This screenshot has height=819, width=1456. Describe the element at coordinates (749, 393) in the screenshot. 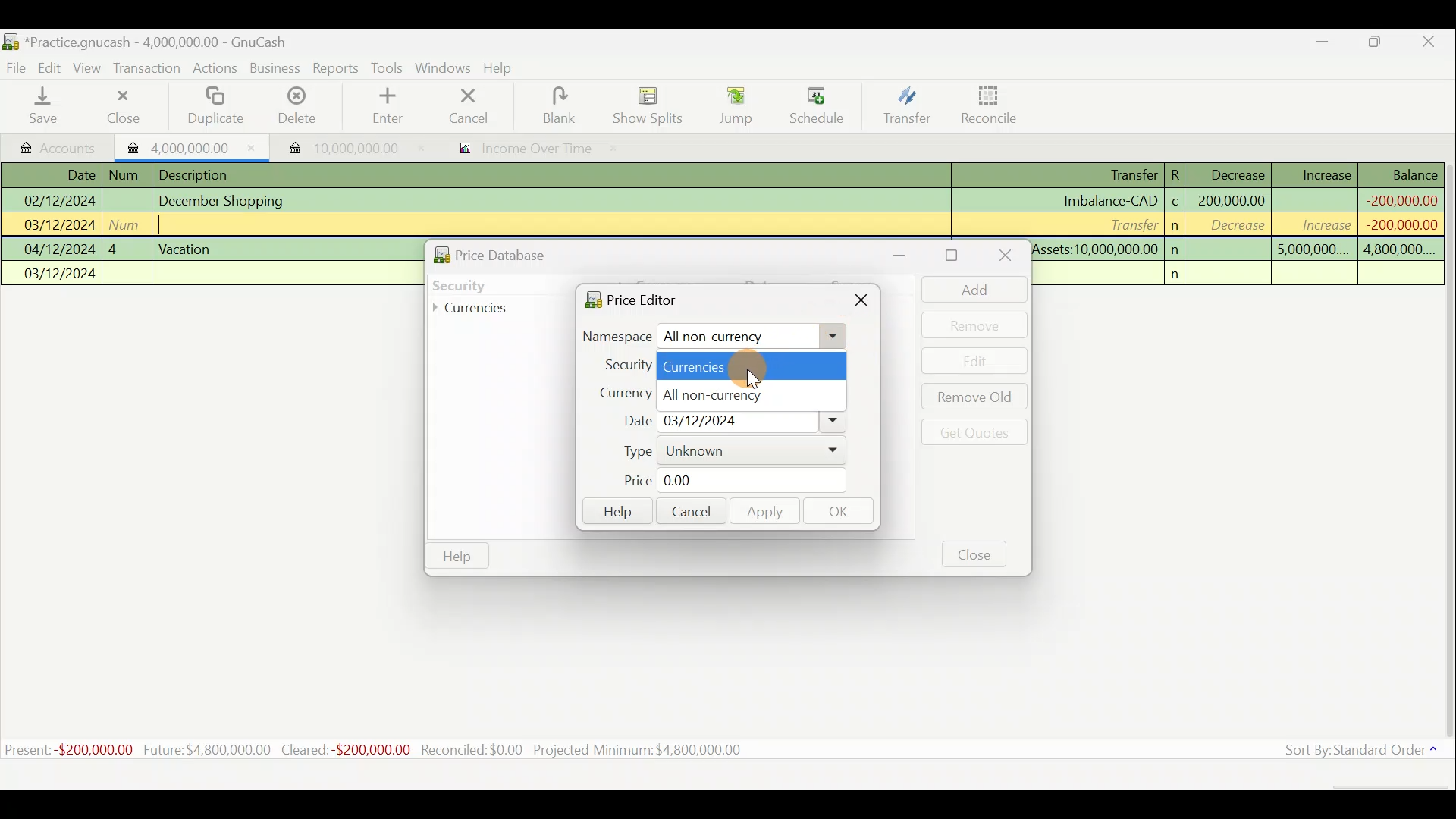

I see `All non-currency` at that location.